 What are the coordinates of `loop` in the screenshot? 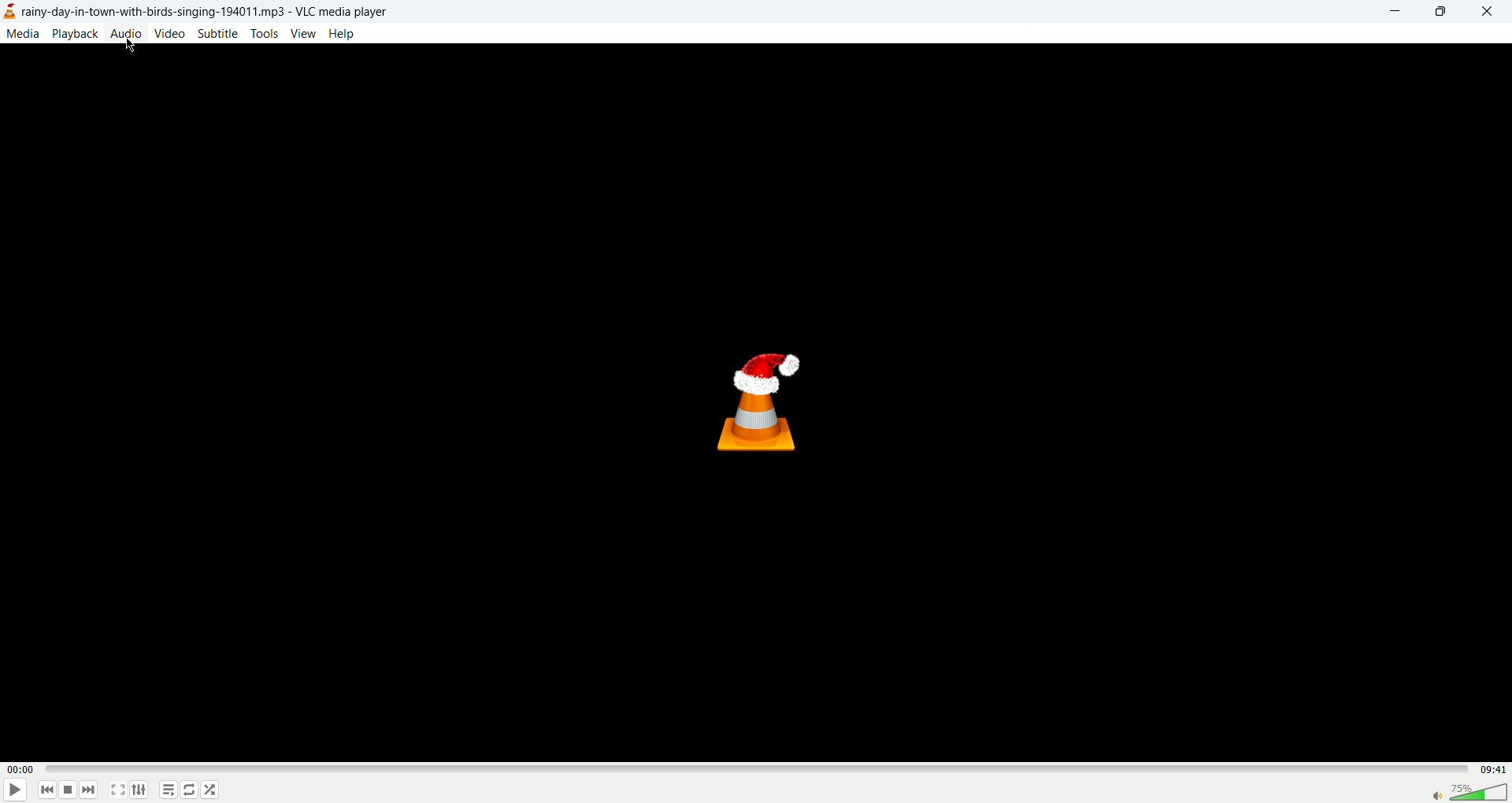 It's located at (188, 791).